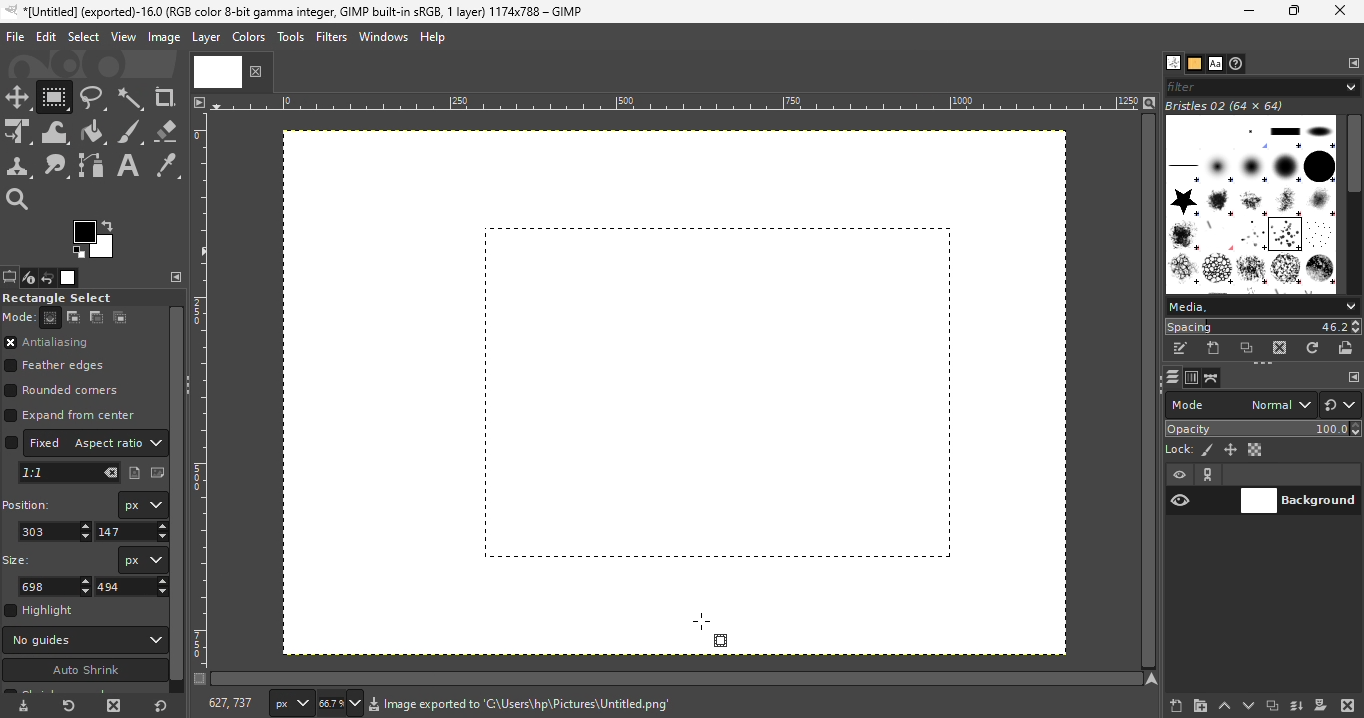 The width and height of the screenshot is (1364, 718). Describe the element at coordinates (49, 277) in the screenshot. I see `Undo history` at that location.